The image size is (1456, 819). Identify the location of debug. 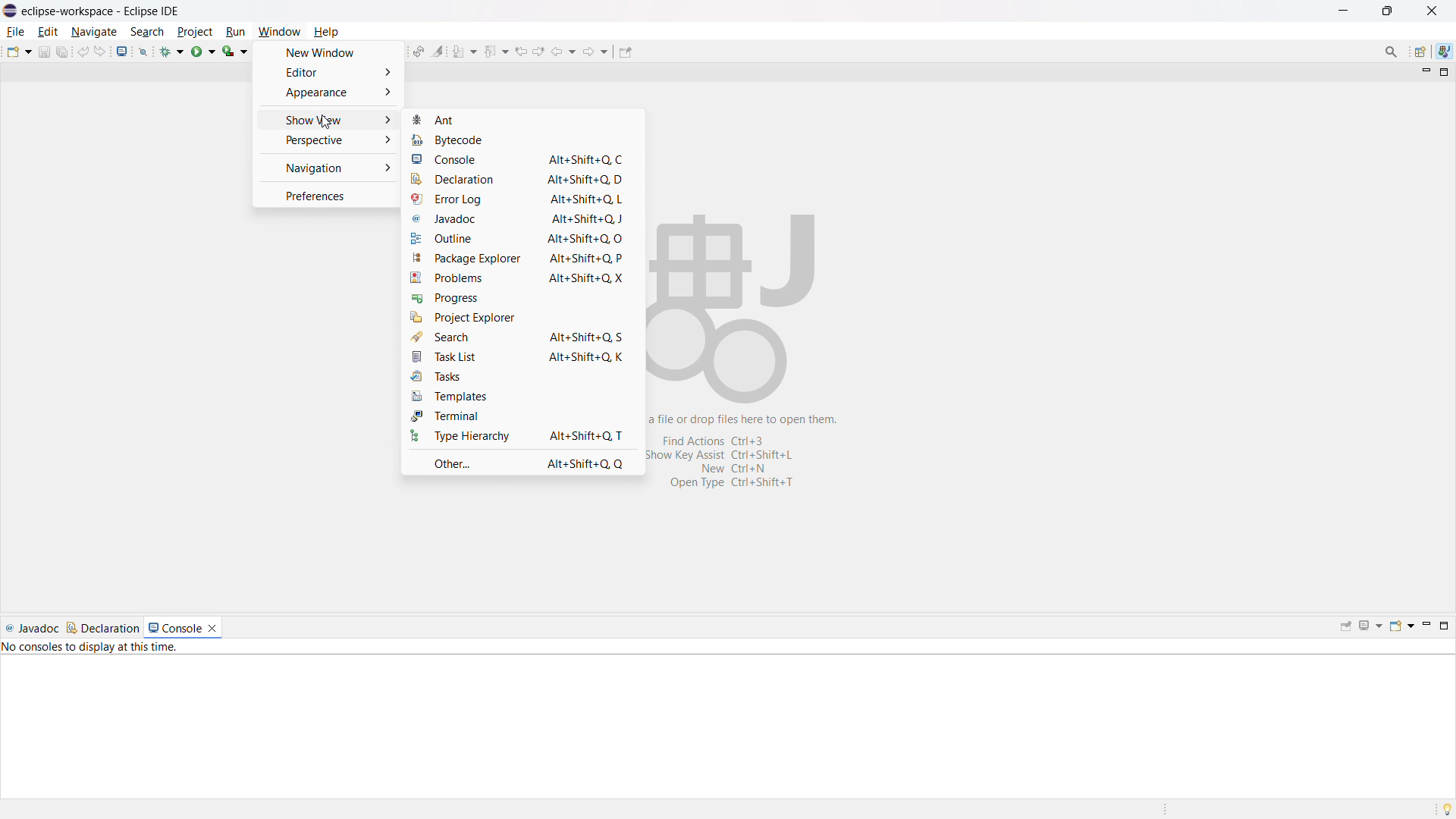
(172, 51).